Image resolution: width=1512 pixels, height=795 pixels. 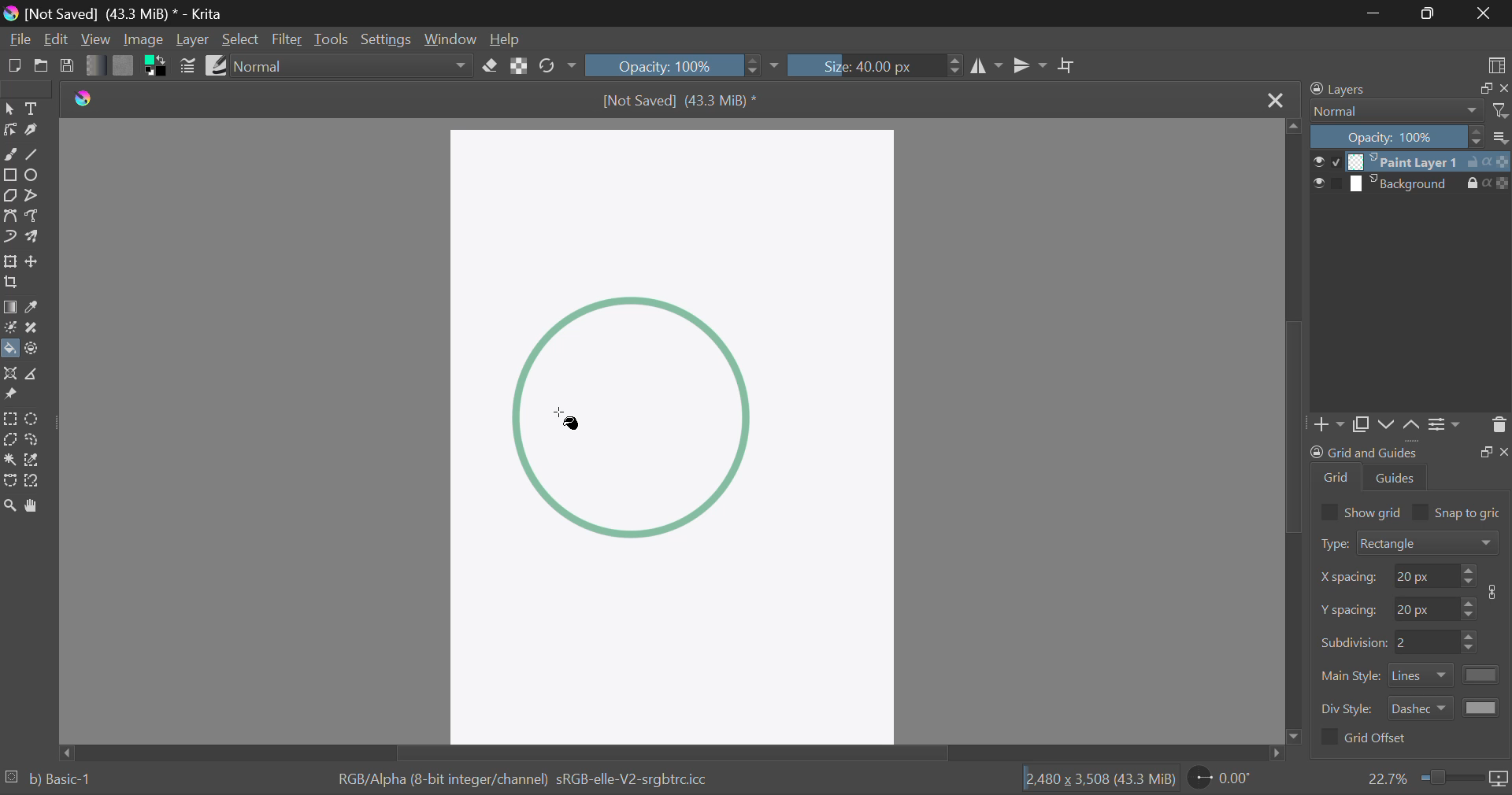 I want to click on Rectangular Selection, so click(x=9, y=419).